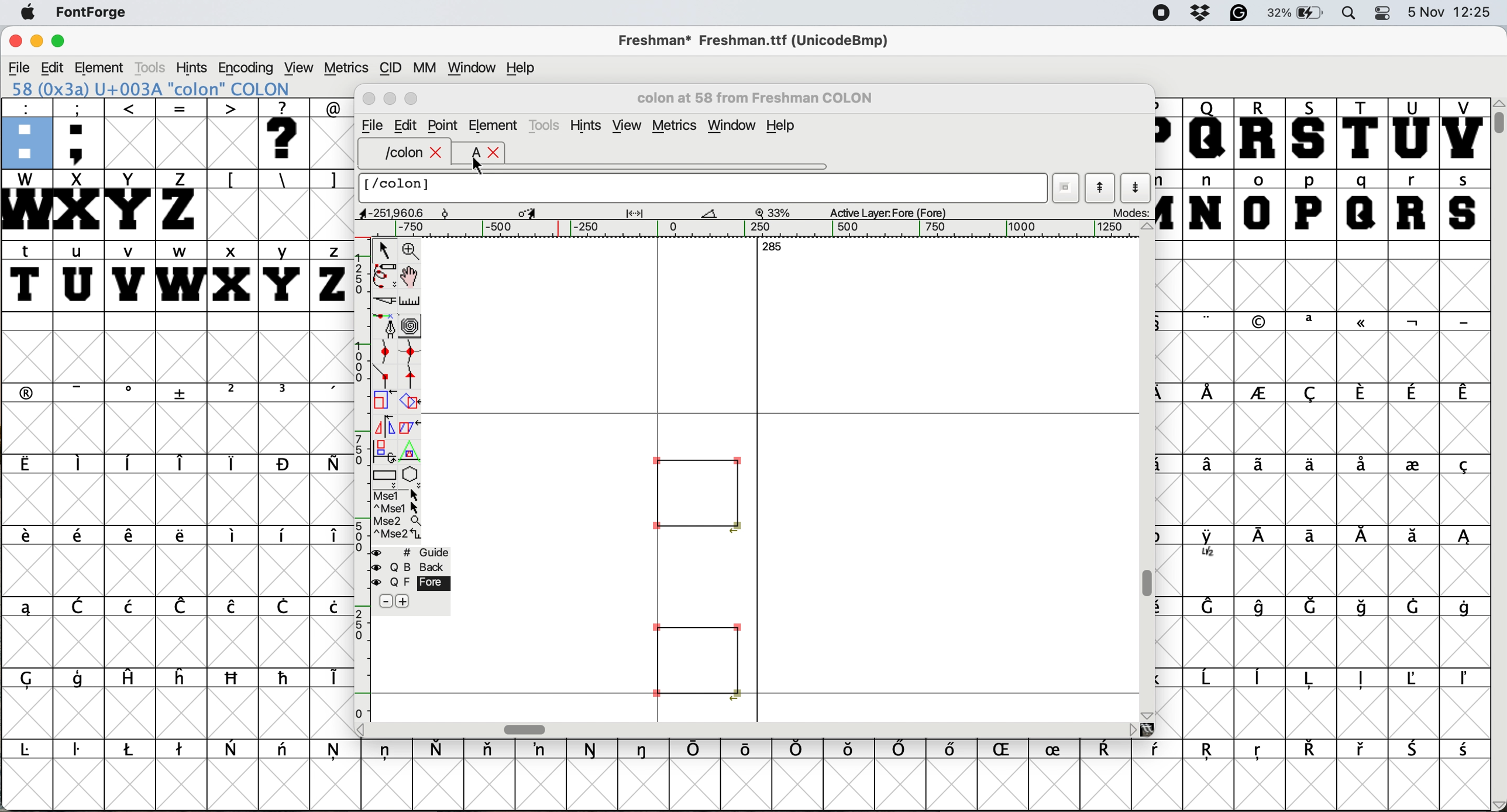 The height and width of the screenshot is (812, 1507). I want to click on glyph details, so click(659, 214).